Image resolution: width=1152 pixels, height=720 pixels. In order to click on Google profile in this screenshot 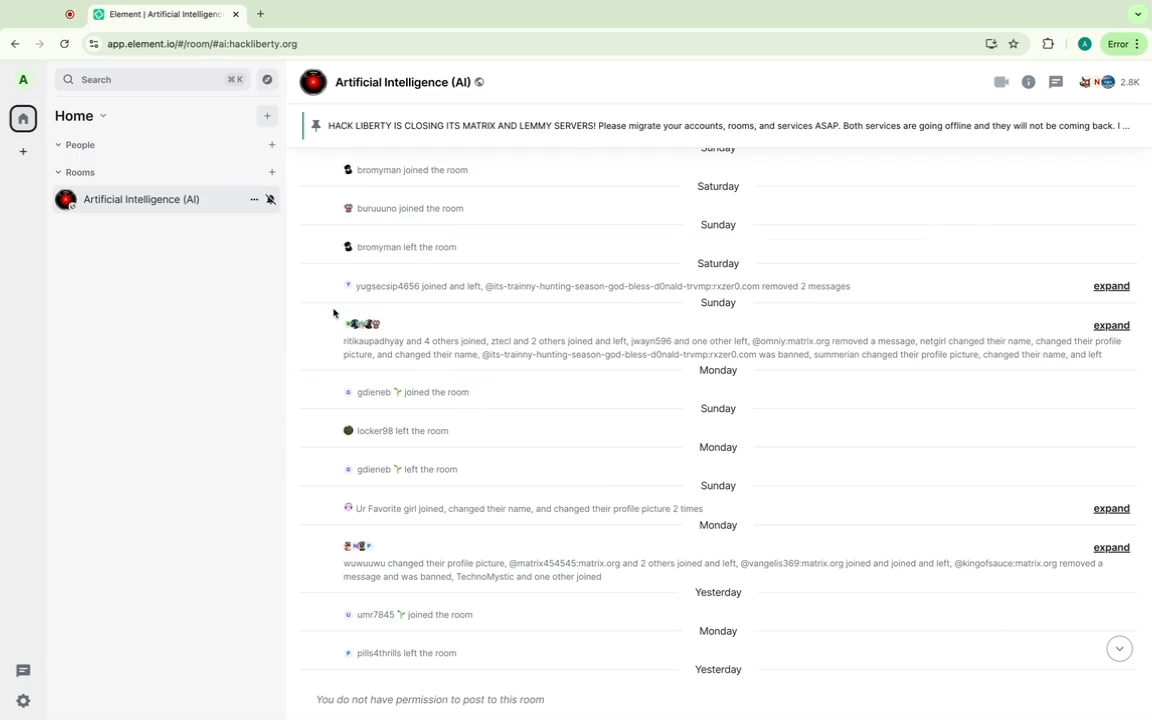, I will do `click(1082, 46)`.